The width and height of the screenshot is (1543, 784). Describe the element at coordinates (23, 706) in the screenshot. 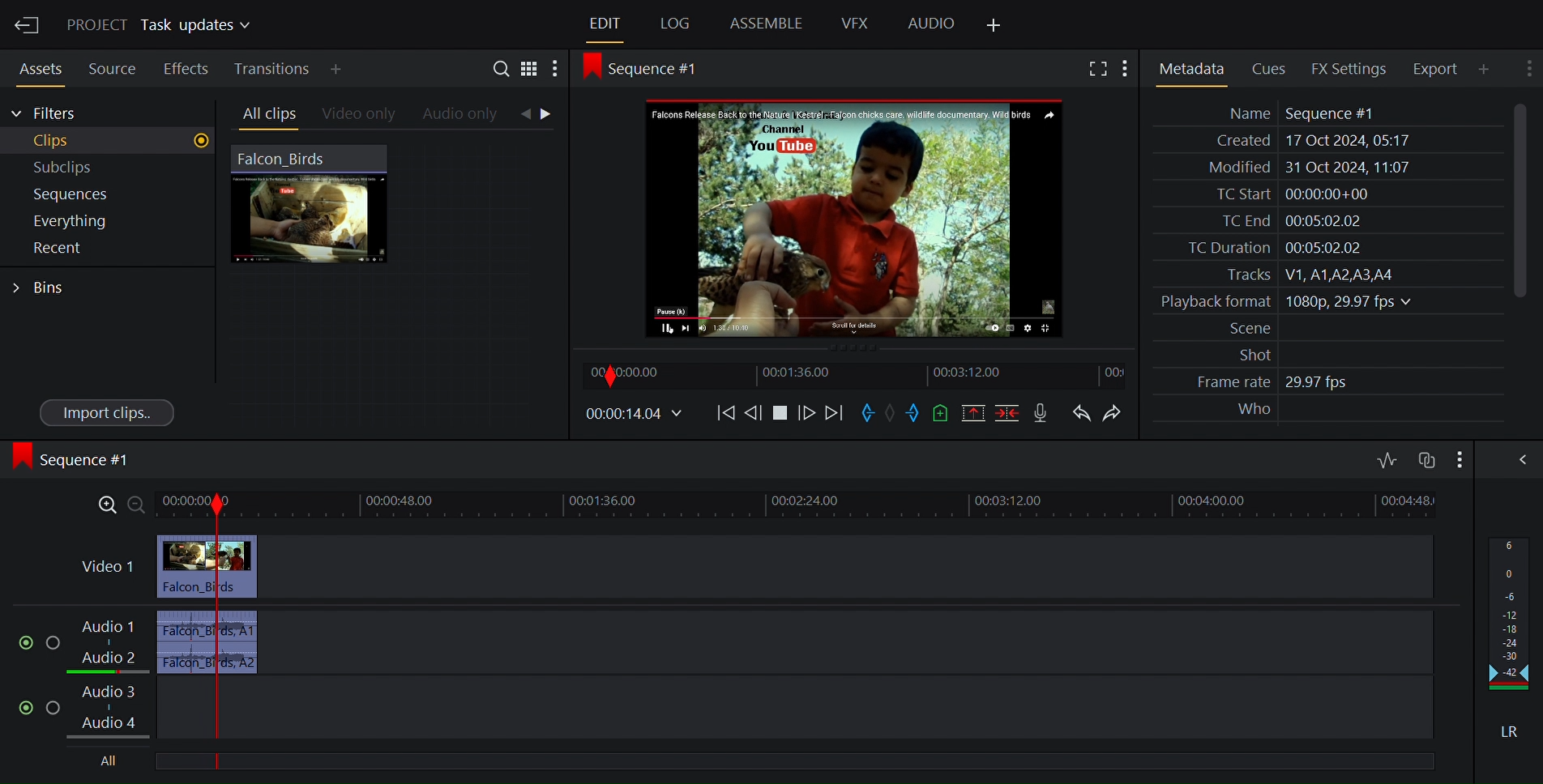

I see `Mute/unmute` at that location.